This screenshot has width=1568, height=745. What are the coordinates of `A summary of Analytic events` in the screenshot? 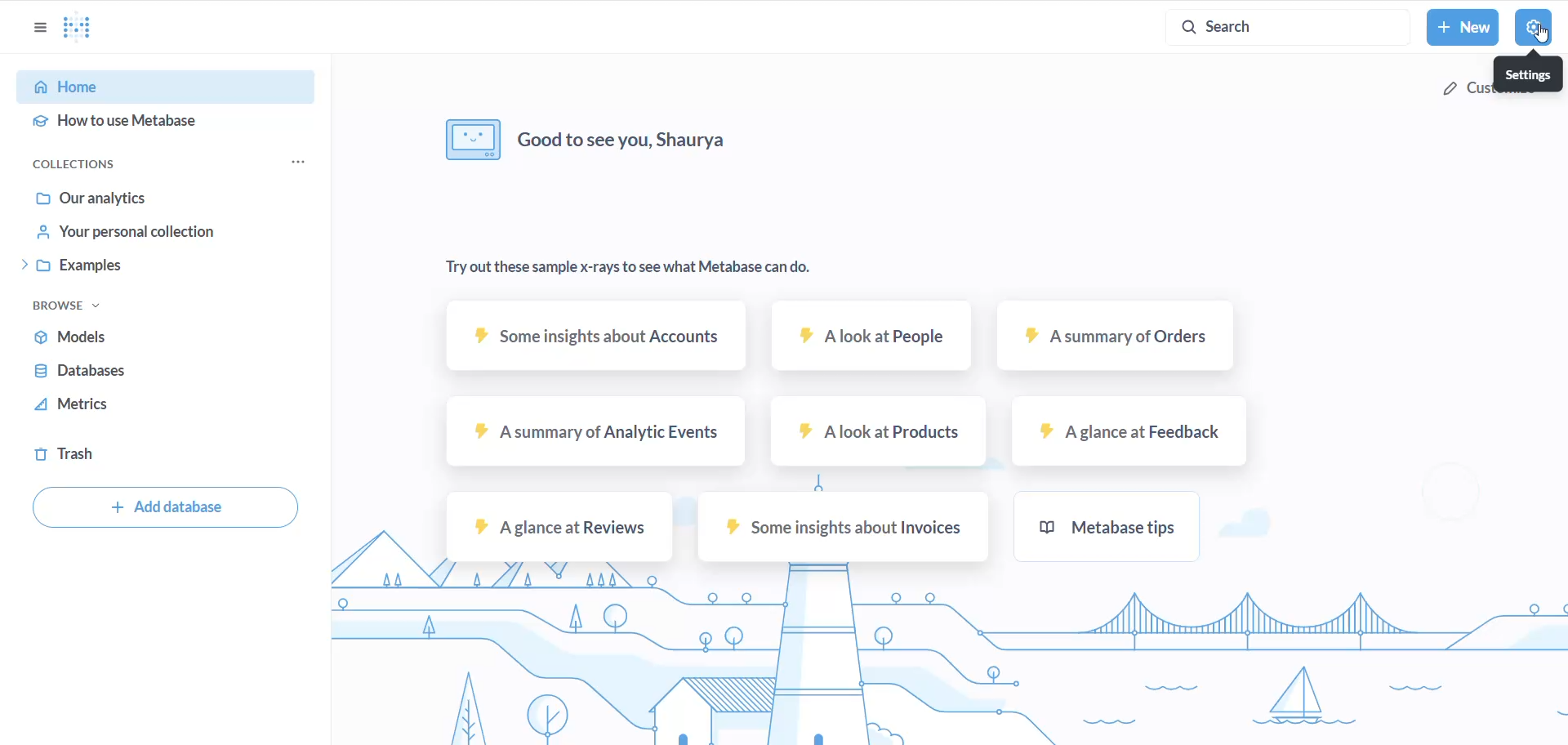 It's located at (594, 435).